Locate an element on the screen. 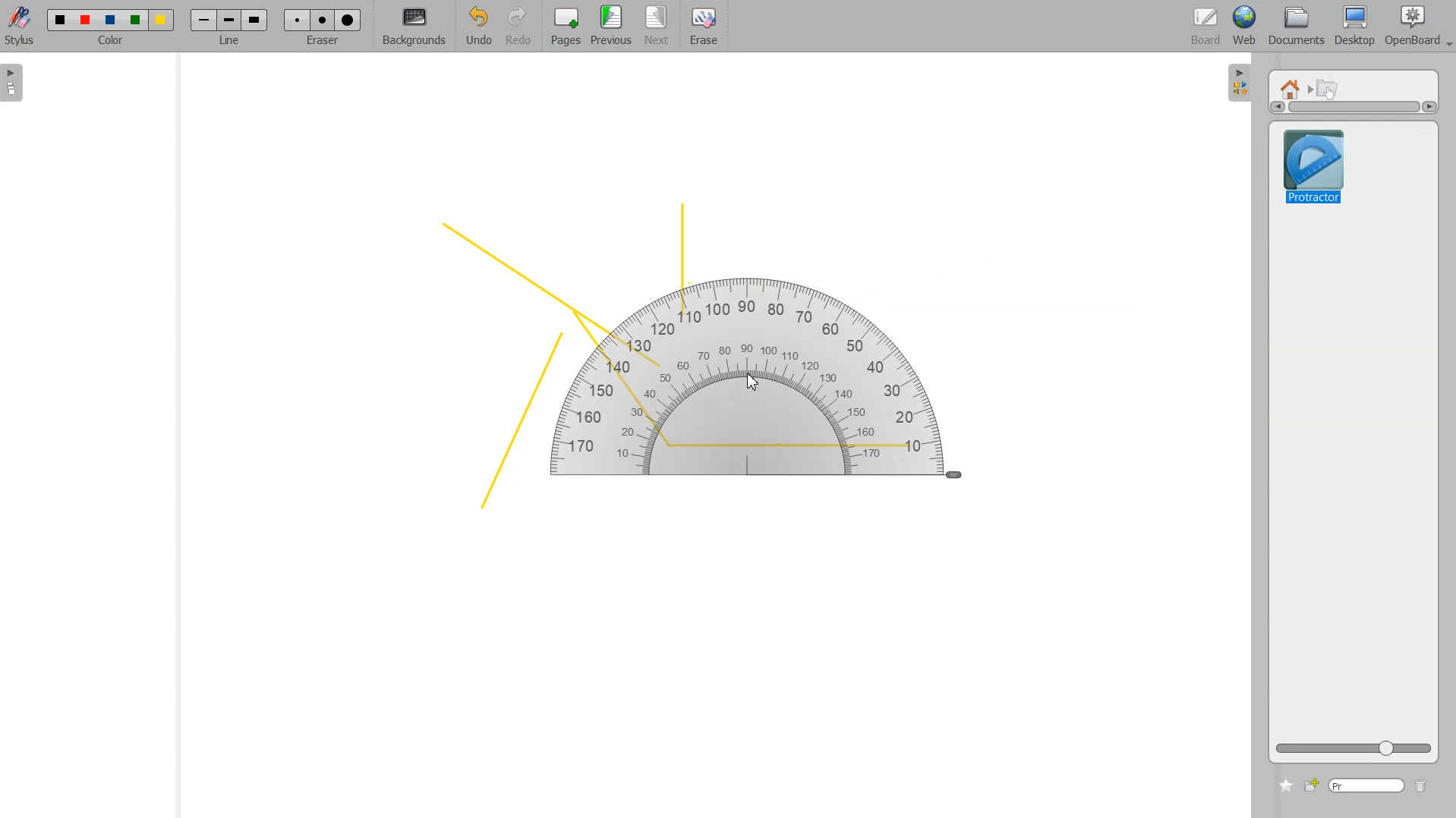  ZOOM Icon  is located at coordinates (1354, 748).